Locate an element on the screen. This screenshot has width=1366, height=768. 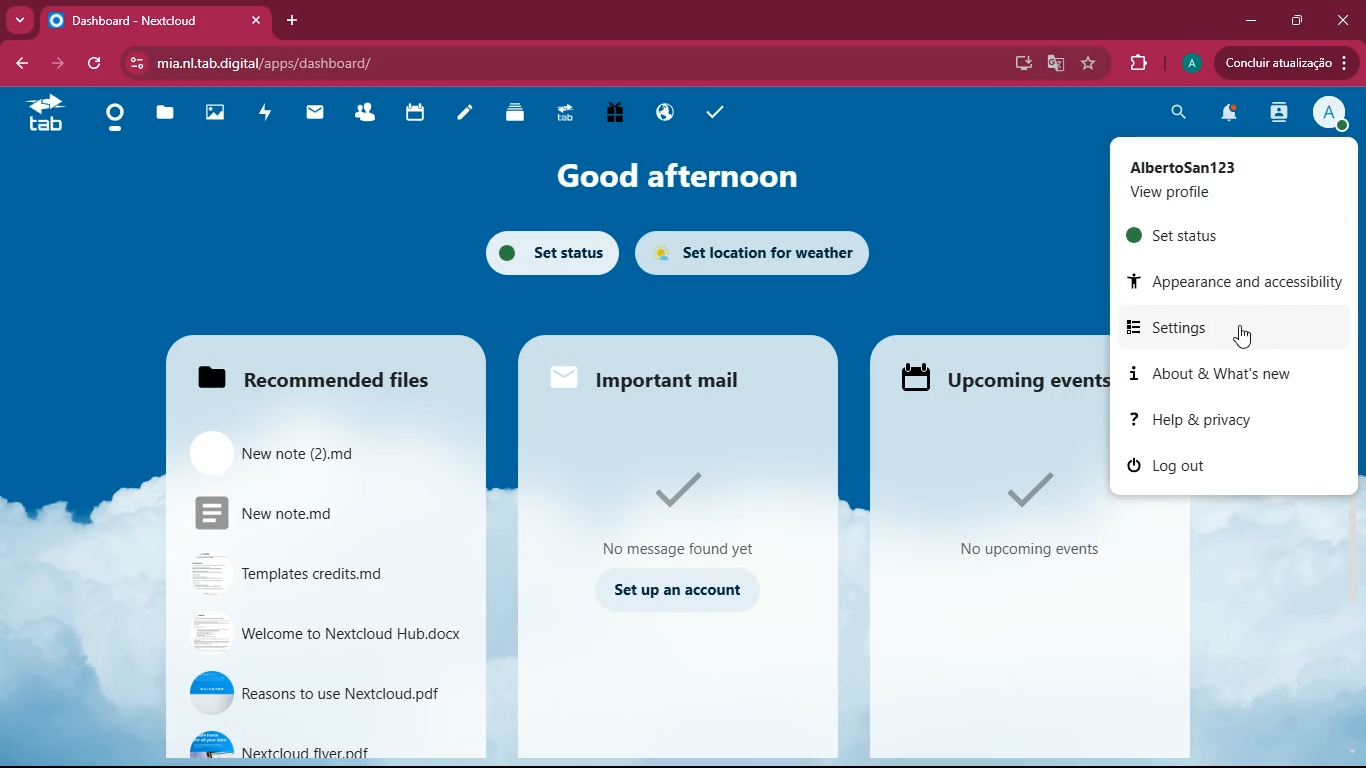
set status is located at coordinates (1214, 235).